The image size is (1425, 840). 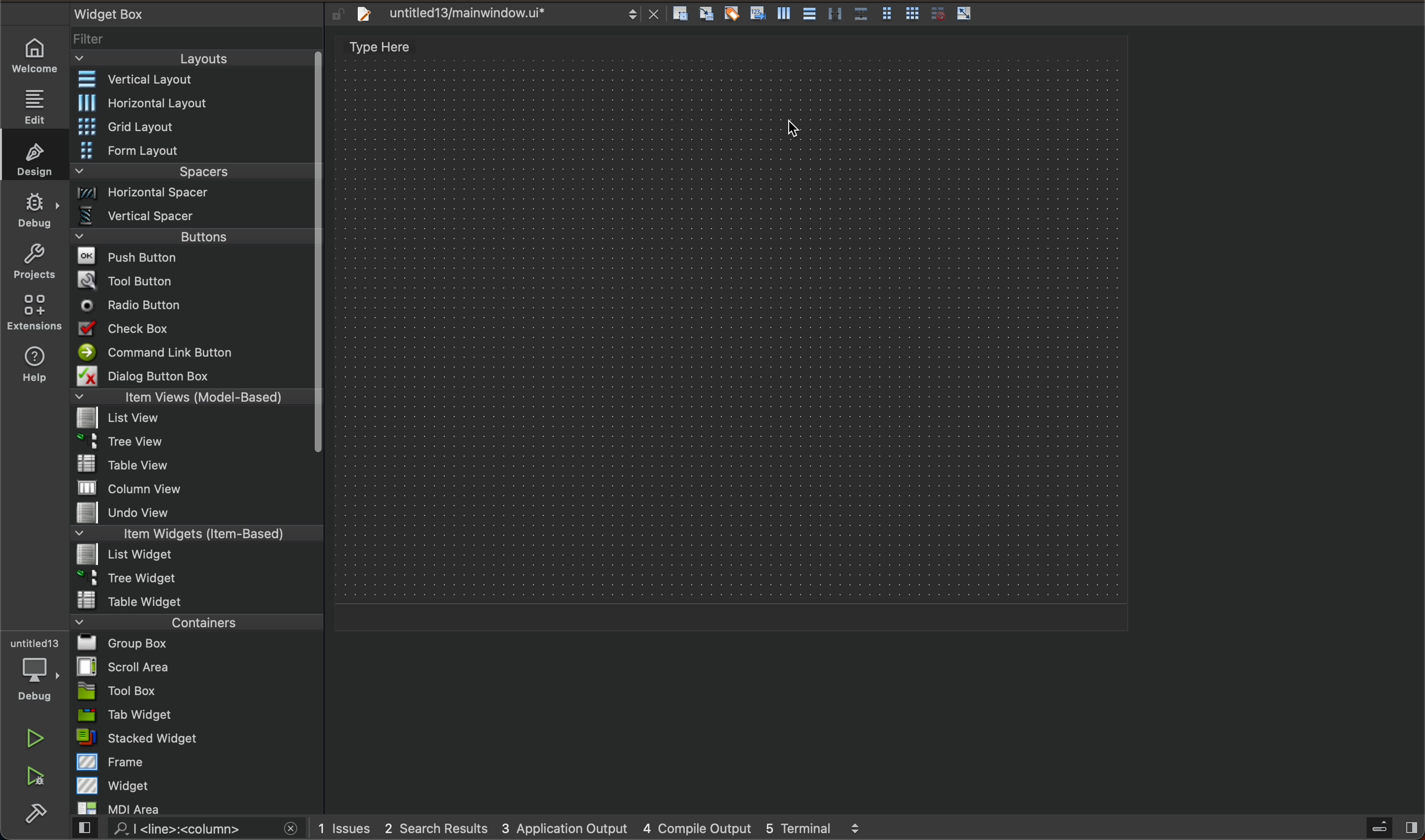 I want to click on checkbox, so click(x=195, y=329).